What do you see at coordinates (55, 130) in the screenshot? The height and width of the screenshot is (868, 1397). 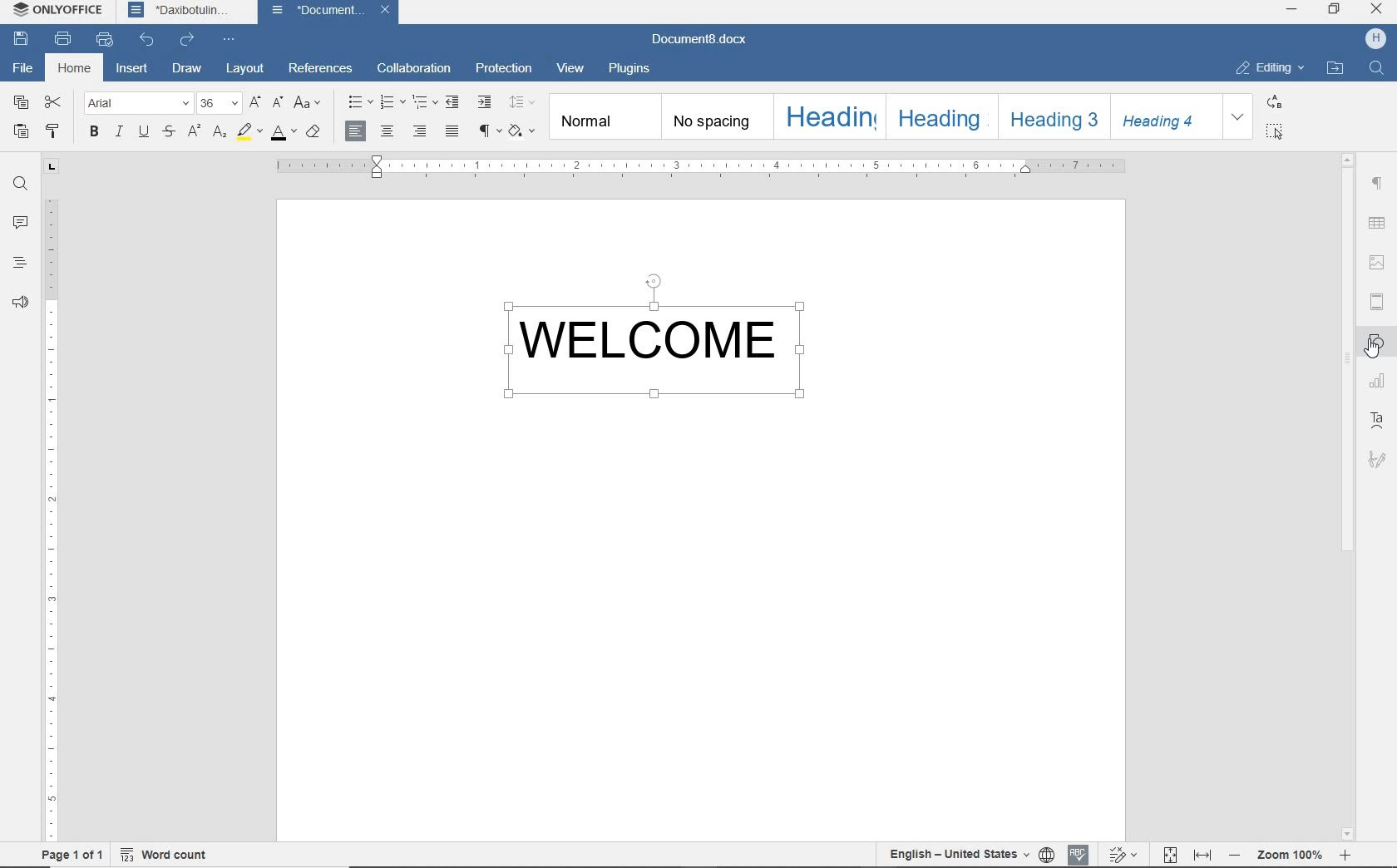 I see `COPY STYLE` at bounding box center [55, 130].